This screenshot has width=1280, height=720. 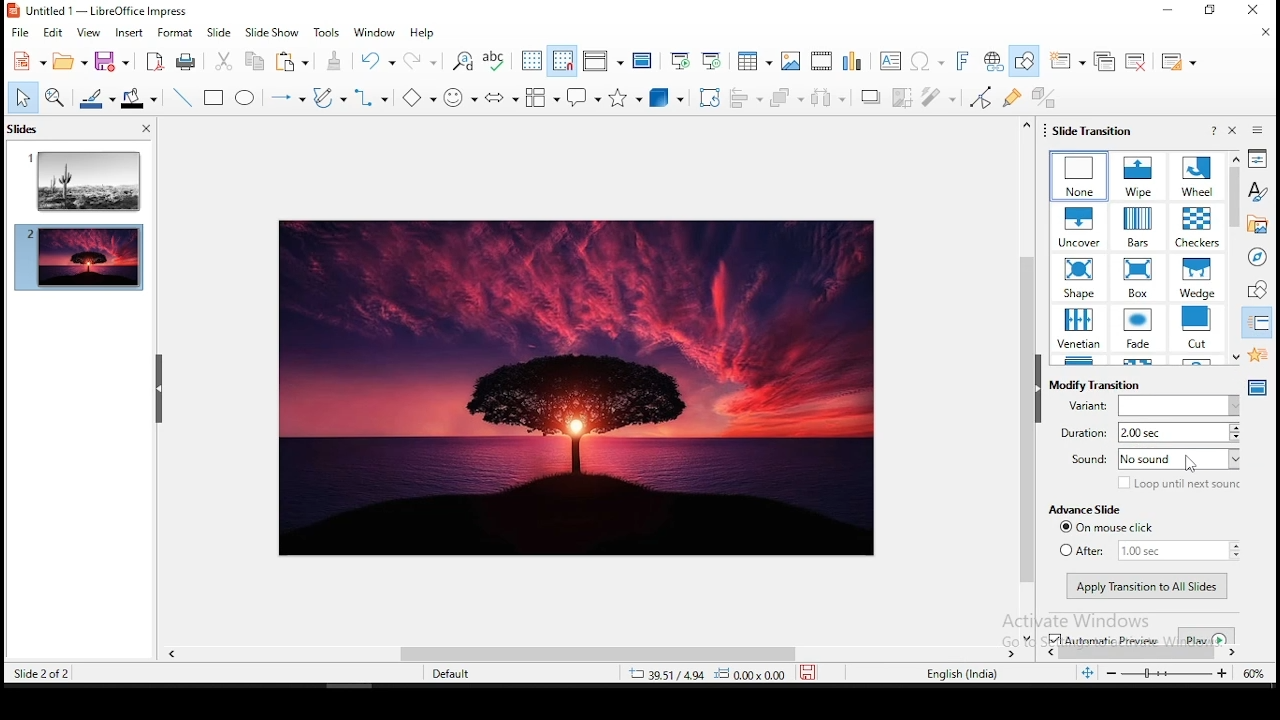 I want to click on transition effects, so click(x=1079, y=330).